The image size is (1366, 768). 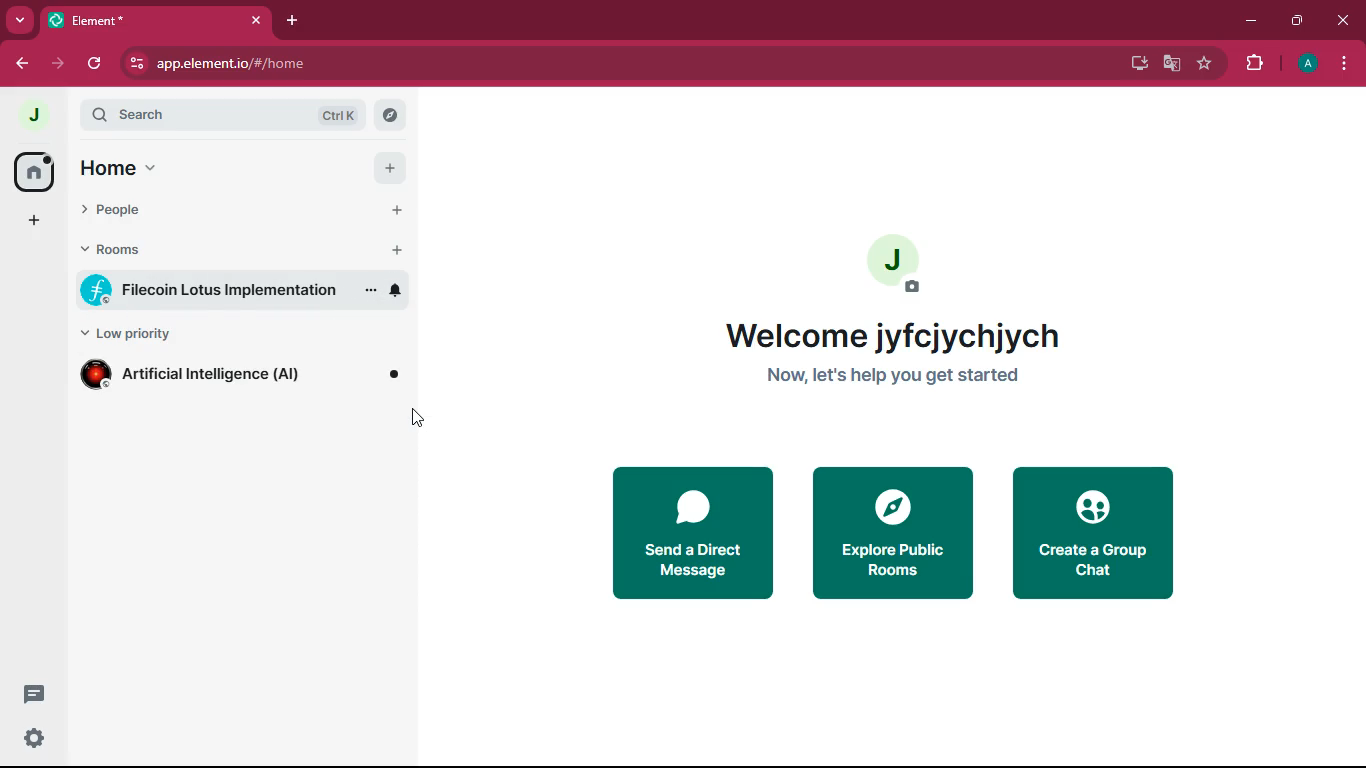 What do you see at coordinates (17, 20) in the screenshot?
I see `more` at bounding box center [17, 20].